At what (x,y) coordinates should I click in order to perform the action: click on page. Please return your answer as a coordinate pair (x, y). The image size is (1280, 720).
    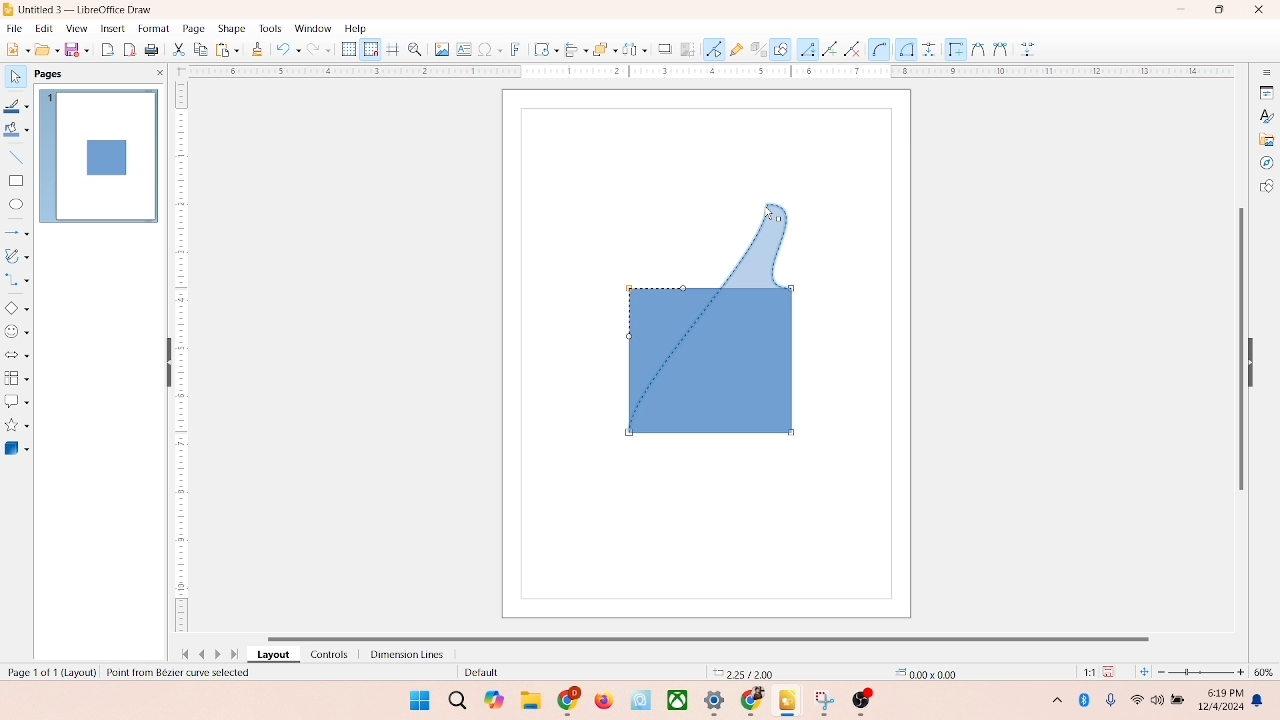
    Looking at the image, I should click on (191, 29).